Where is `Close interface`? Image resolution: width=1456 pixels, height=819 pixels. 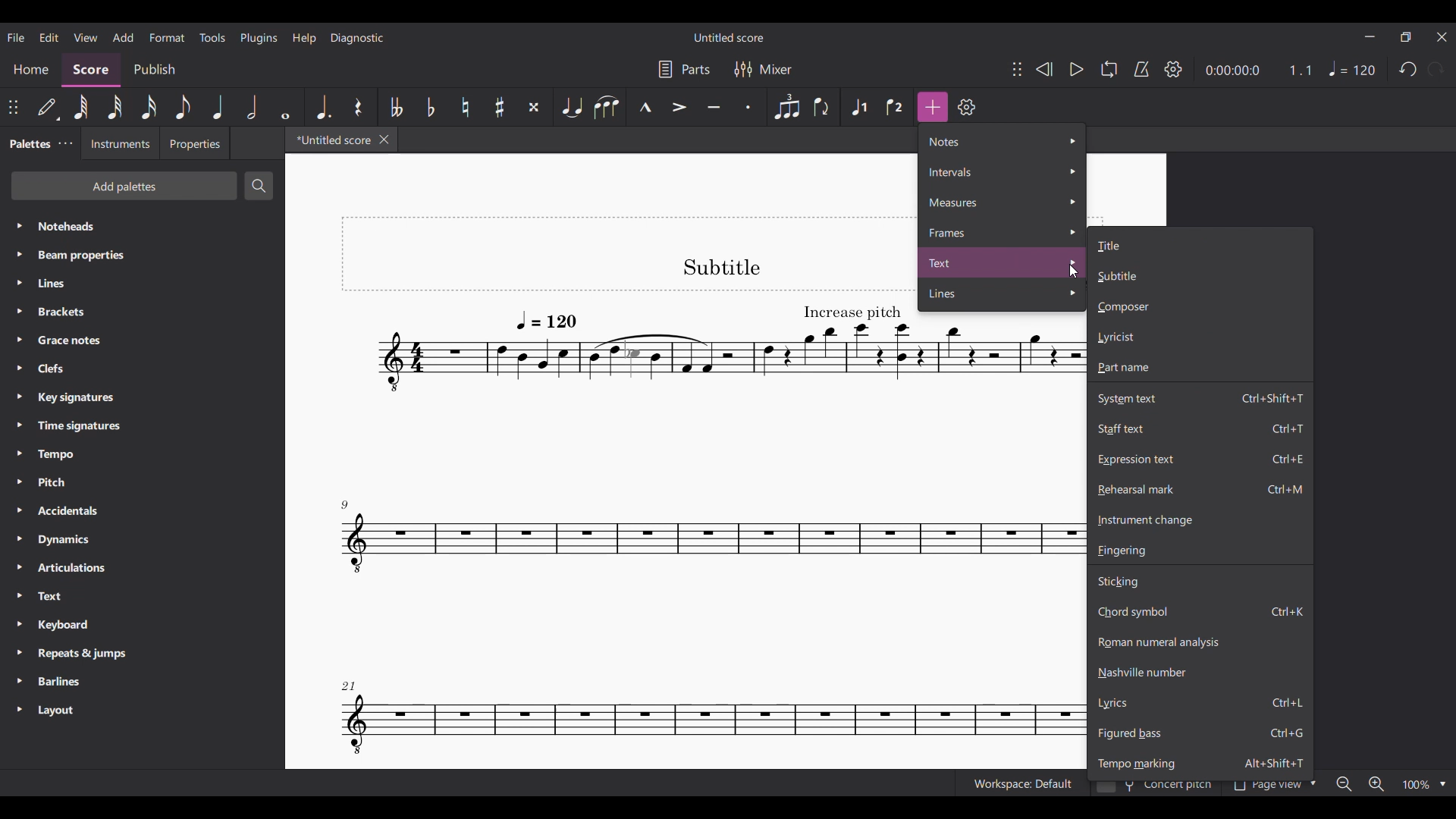
Close interface is located at coordinates (1443, 37).